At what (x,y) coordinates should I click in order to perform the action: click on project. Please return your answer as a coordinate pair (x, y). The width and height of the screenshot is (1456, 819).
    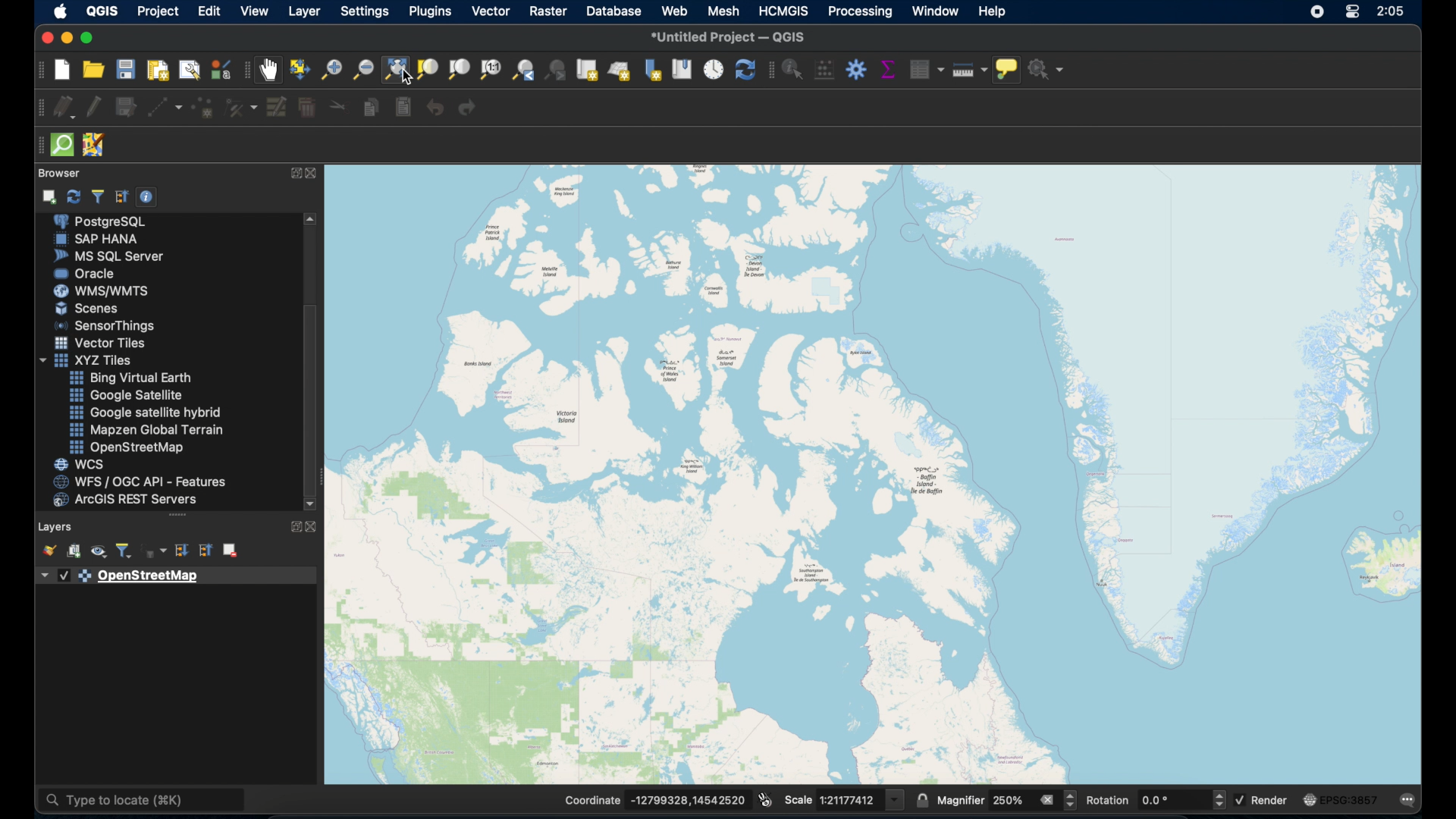
    Looking at the image, I should click on (155, 11).